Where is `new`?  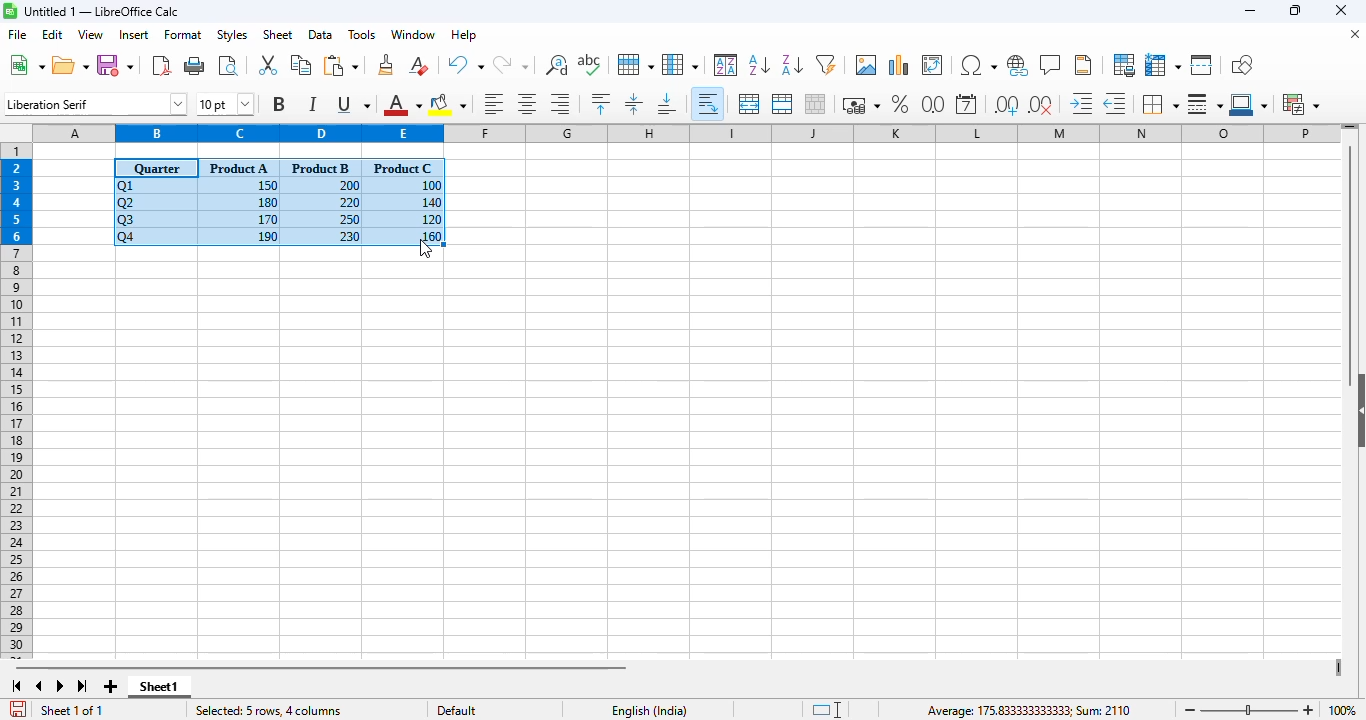 new is located at coordinates (26, 64).